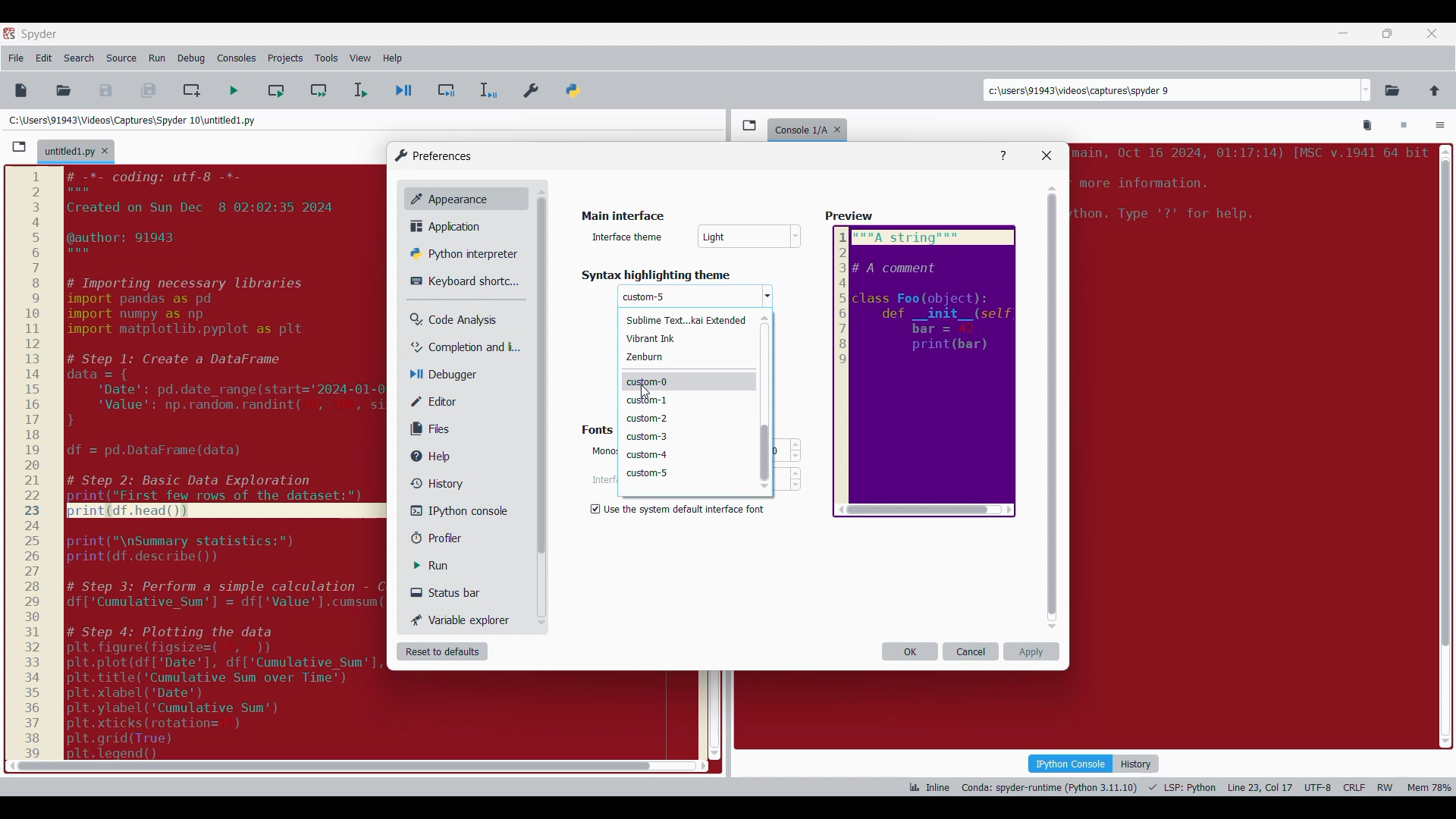  Describe the element at coordinates (227, 461) in the screenshot. I see `code` at that location.